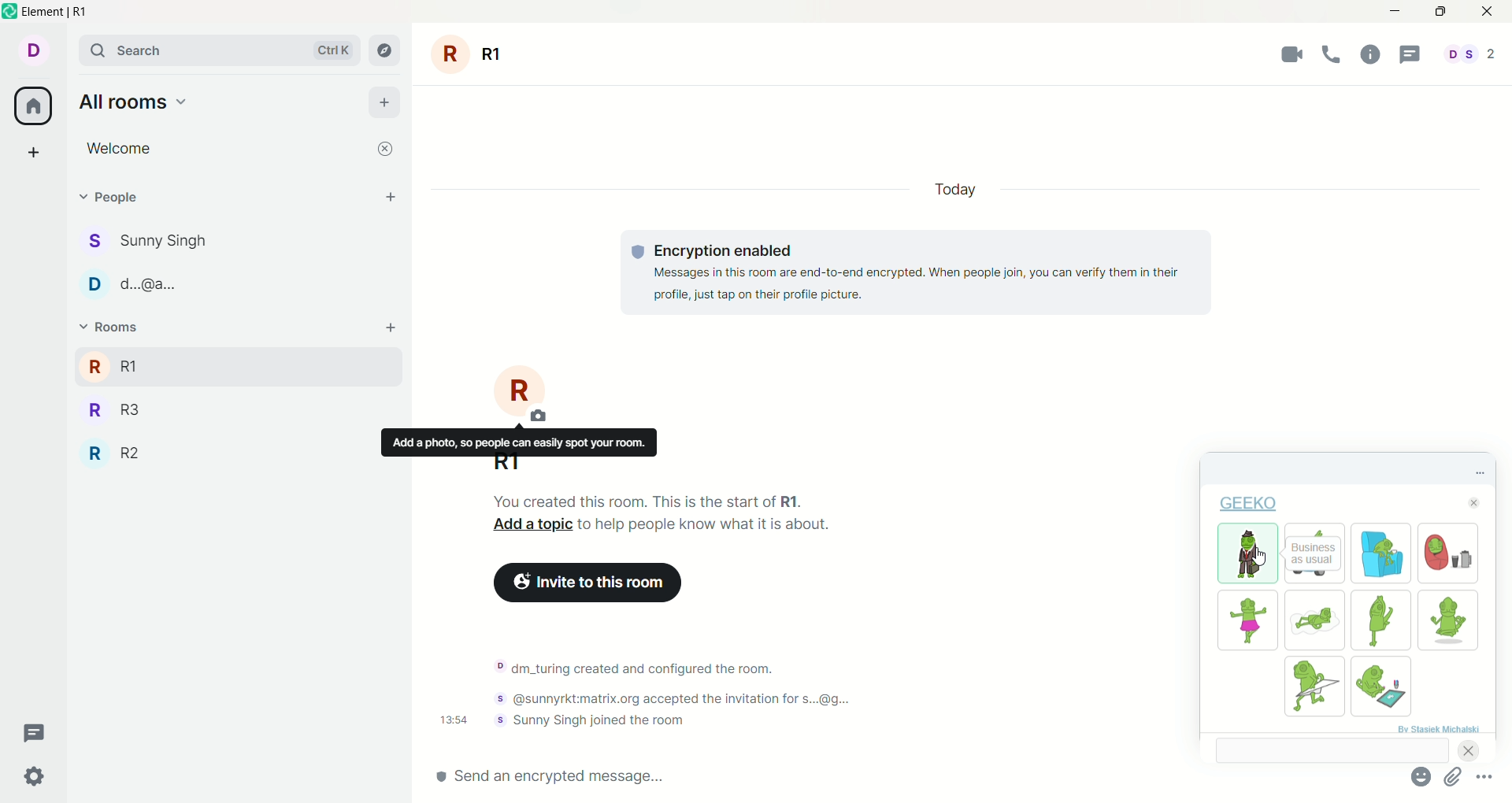  Describe the element at coordinates (1247, 553) in the screenshot. I see `Business as usual sticker` at that location.